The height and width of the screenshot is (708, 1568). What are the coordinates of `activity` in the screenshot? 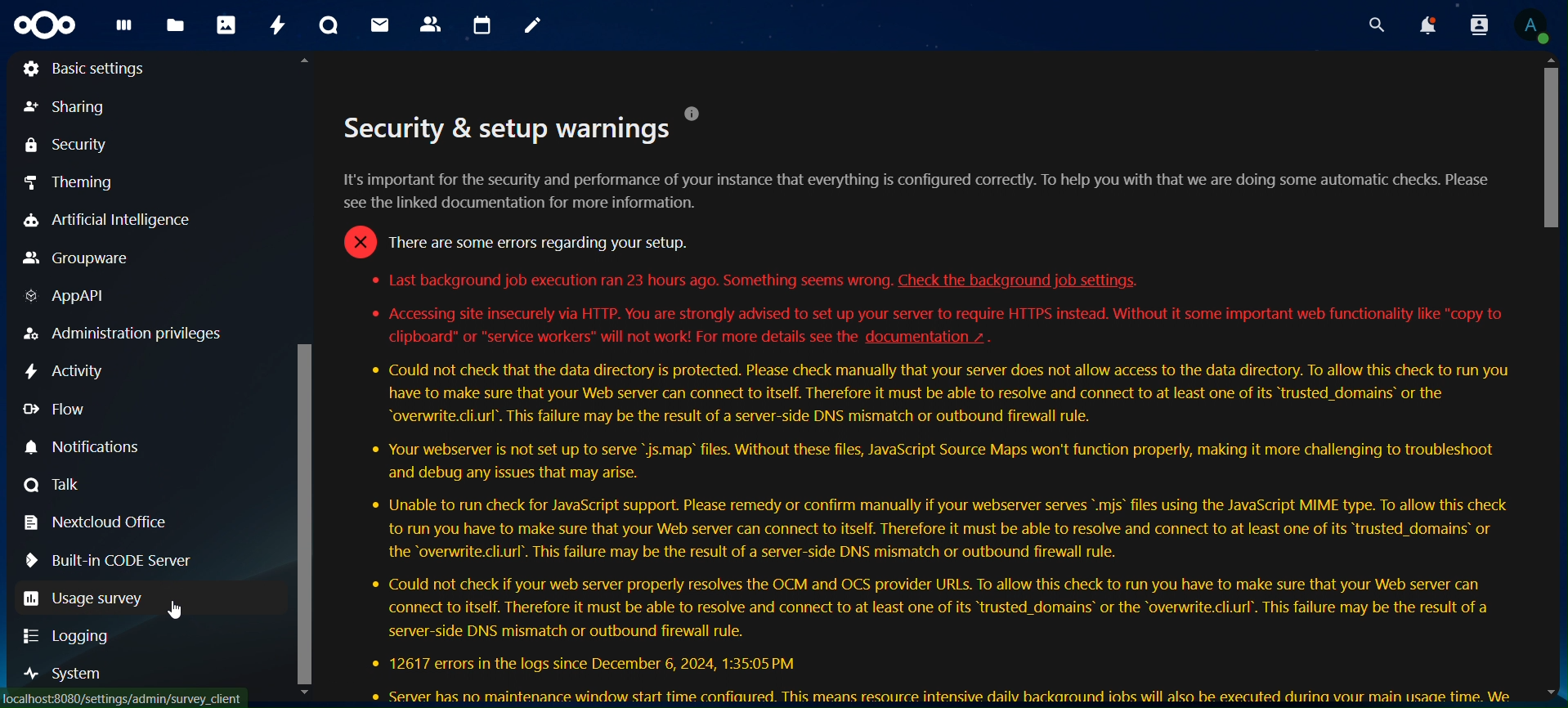 It's located at (277, 25).